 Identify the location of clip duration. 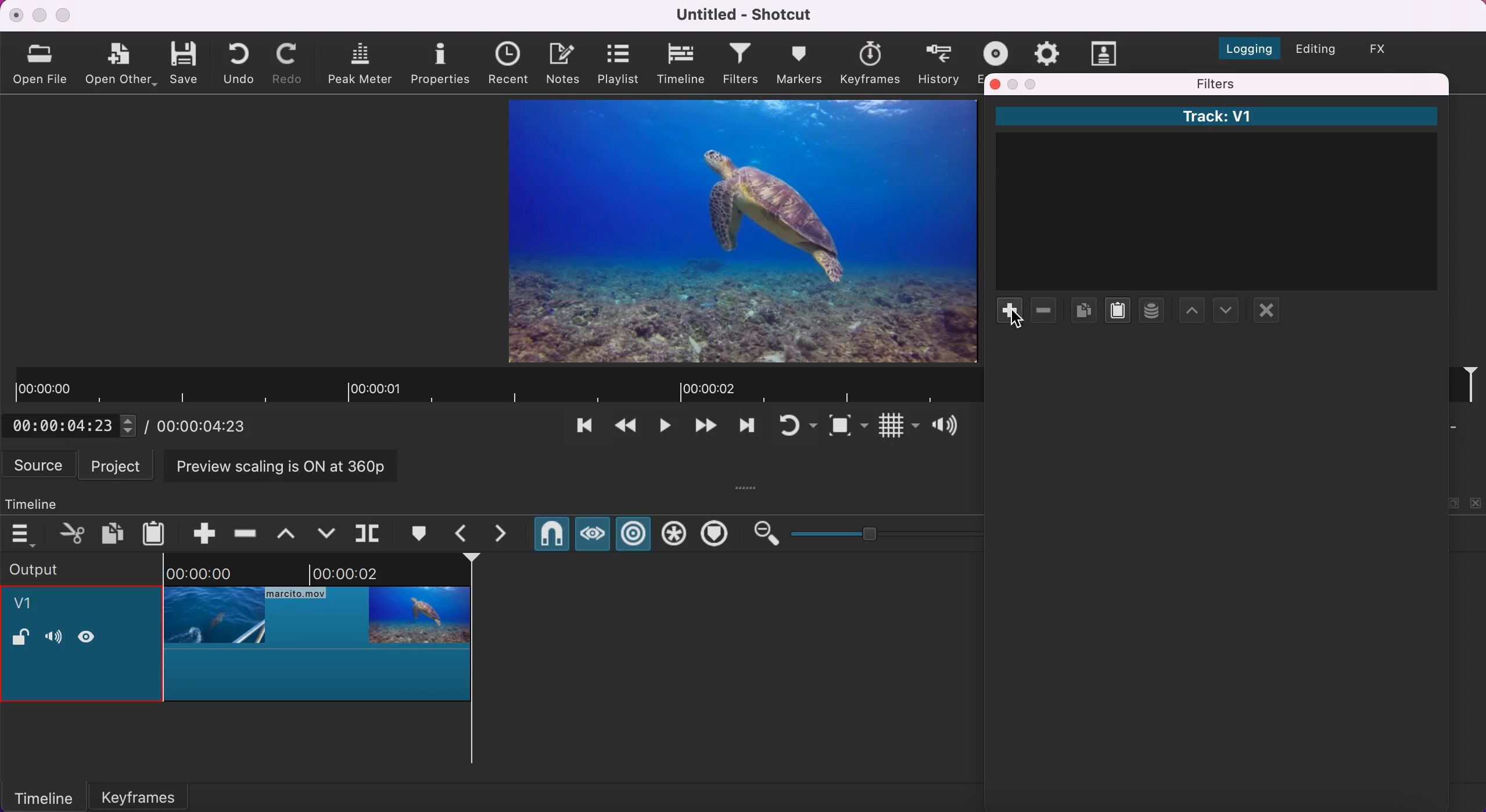
(751, 386).